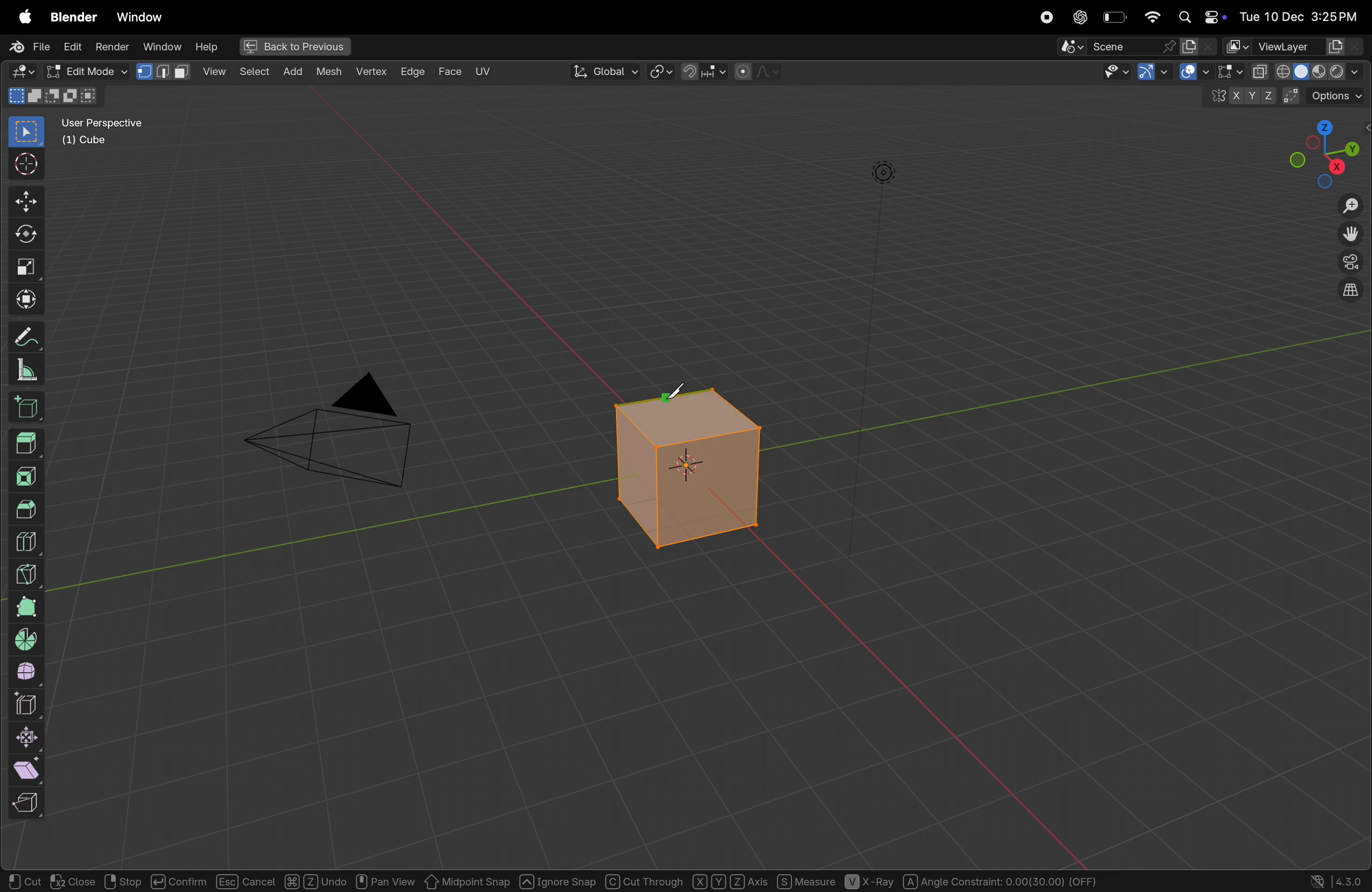 The width and height of the screenshot is (1372, 892). What do you see at coordinates (316, 880) in the screenshot?
I see `Undo` at bounding box center [316, 880].